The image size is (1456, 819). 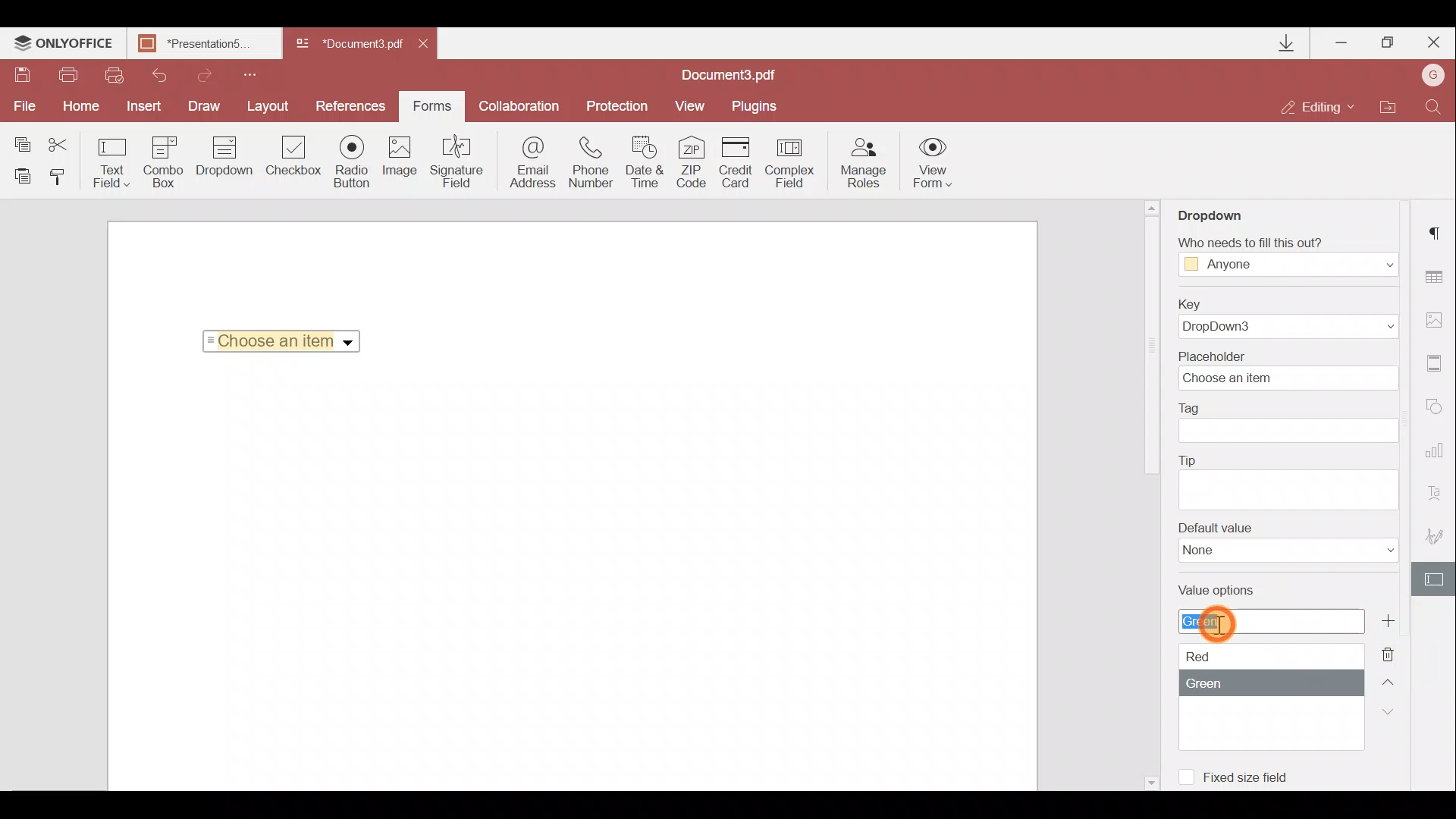 I want to click on Radio, so click(x=354, y=162).